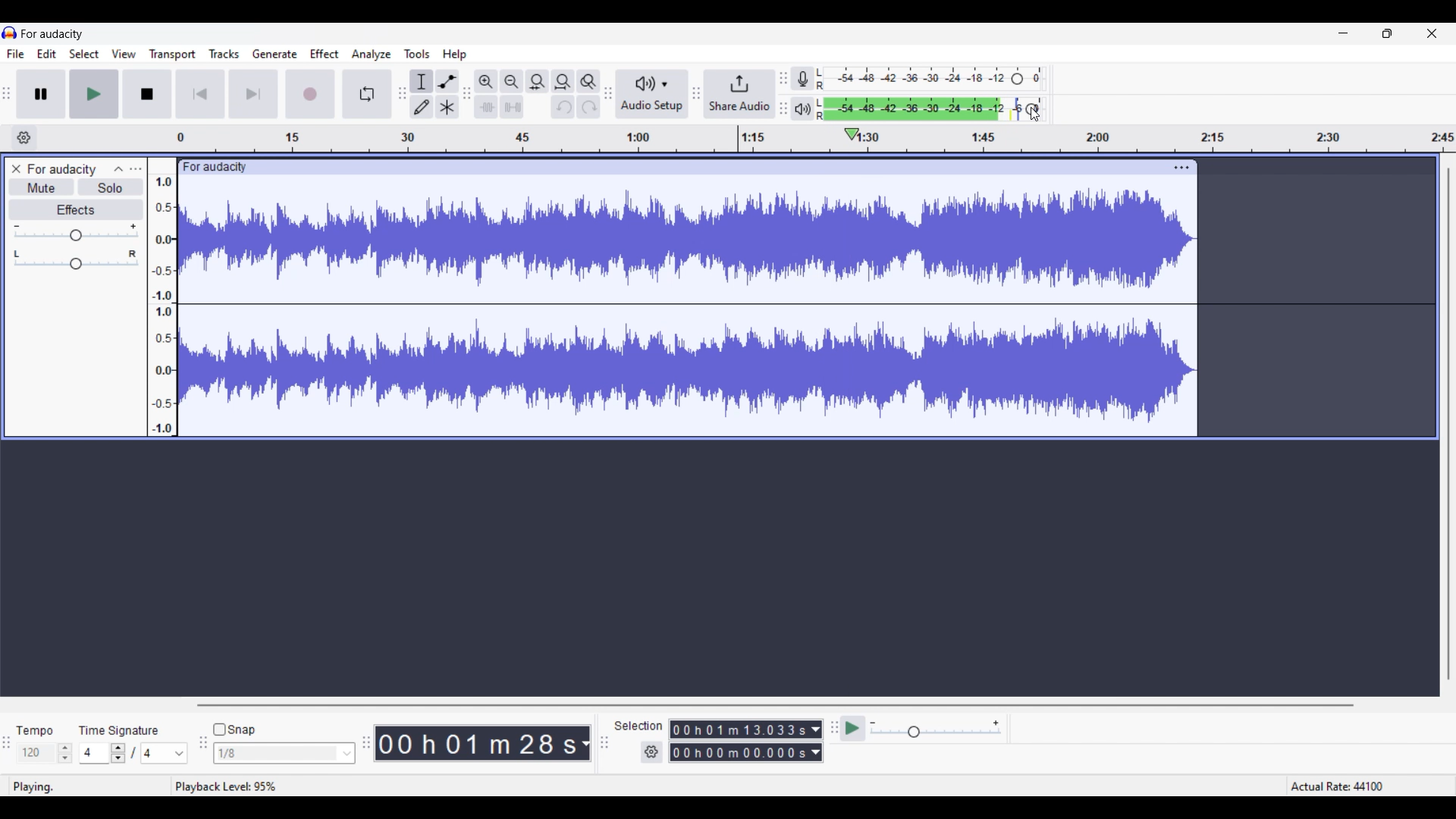 The image size is (1456, 819). I want to click on Volume slider, so click(76, 231).